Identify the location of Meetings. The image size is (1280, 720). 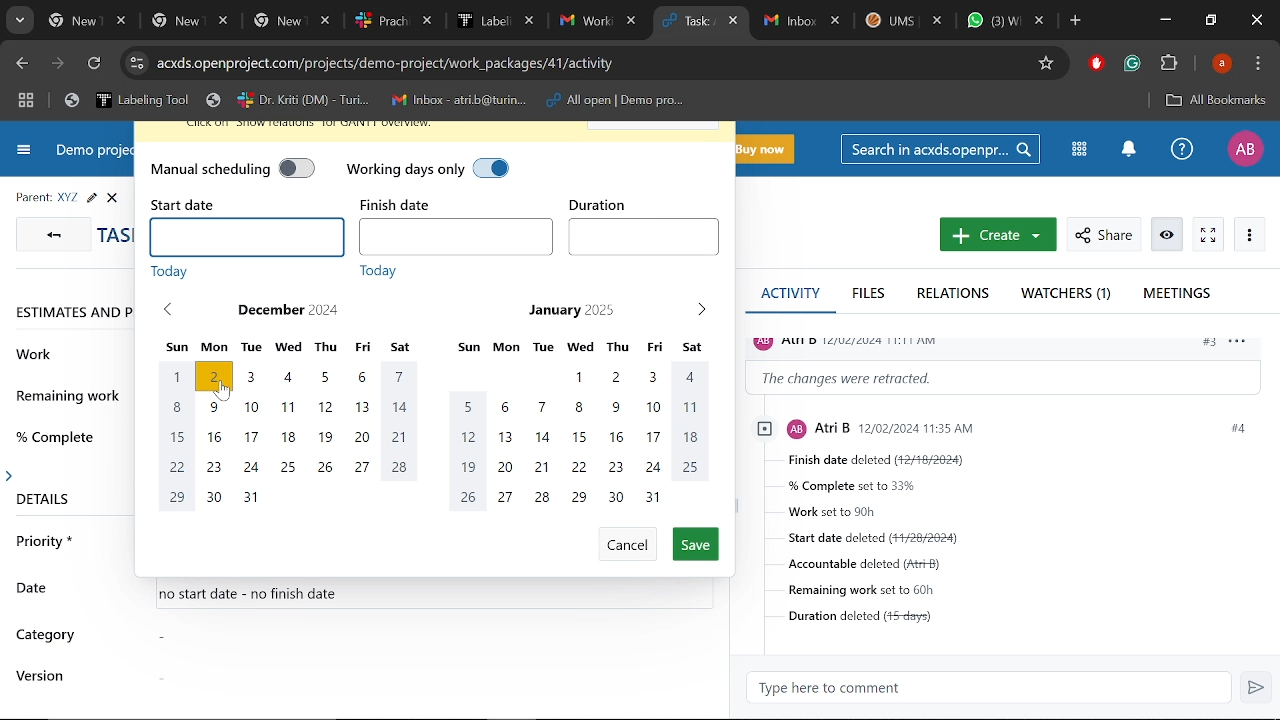
(1179, 296).